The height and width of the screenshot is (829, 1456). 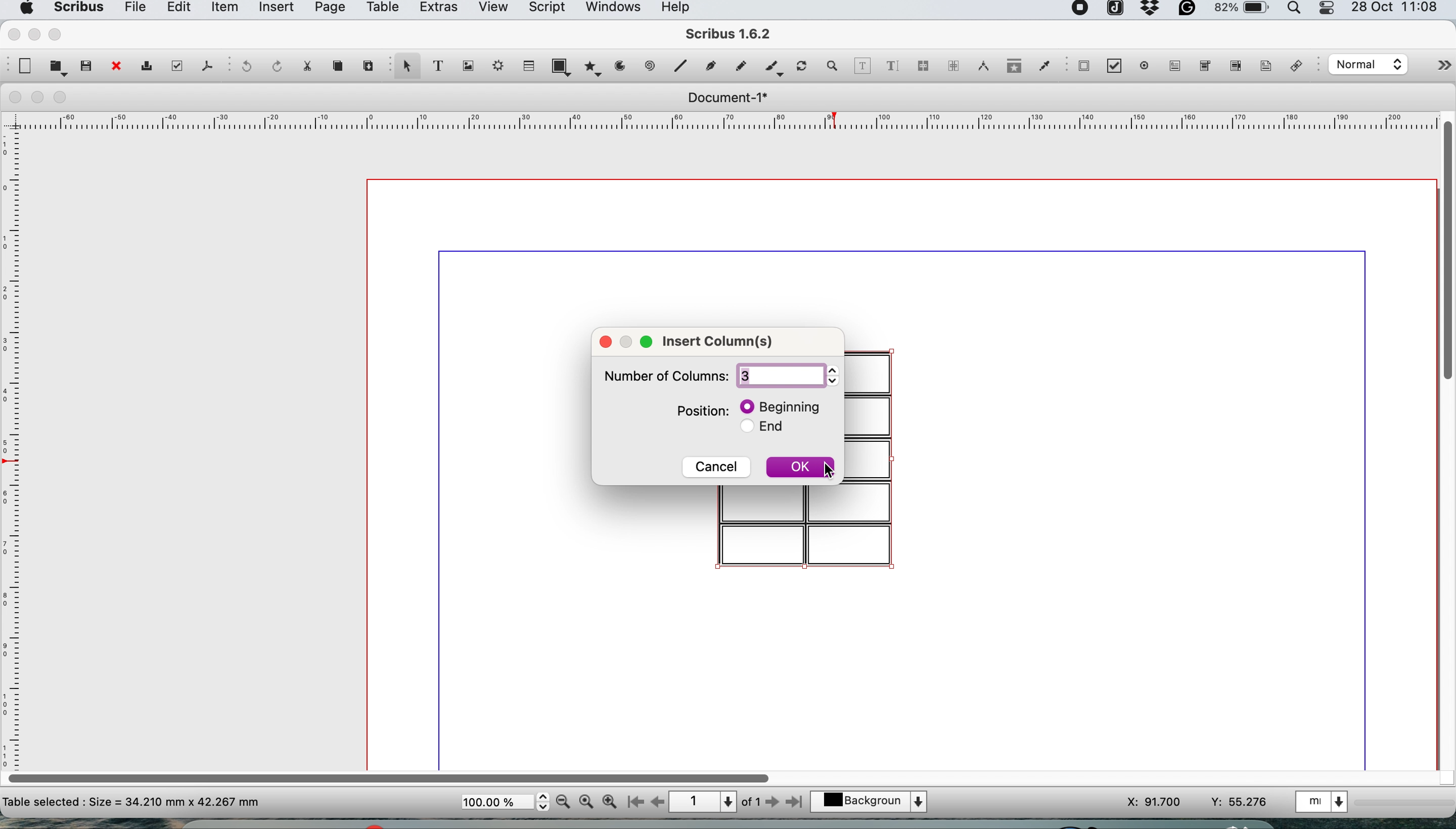 What do you see at coordinates (58, 34) in the screenshot?
I see `maximise` at bounding box center [58, 34].